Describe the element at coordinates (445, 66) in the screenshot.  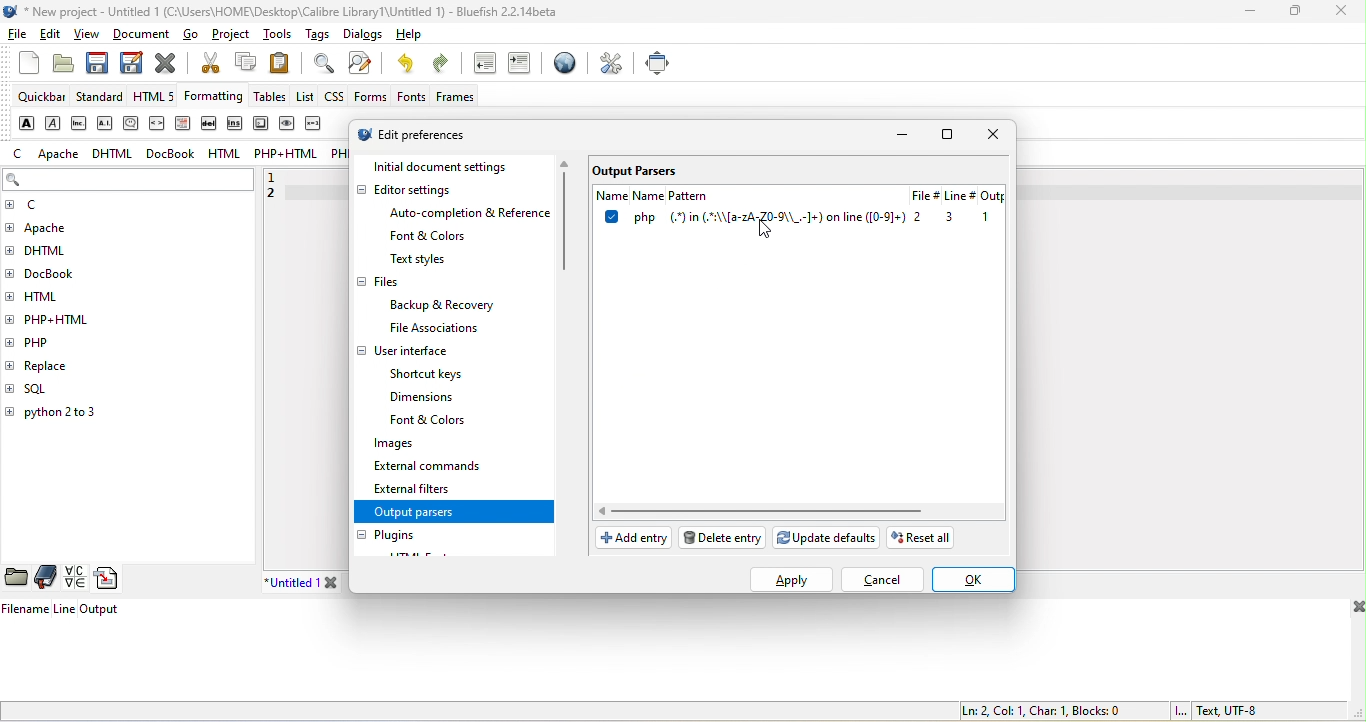
I see `redo` at that location.